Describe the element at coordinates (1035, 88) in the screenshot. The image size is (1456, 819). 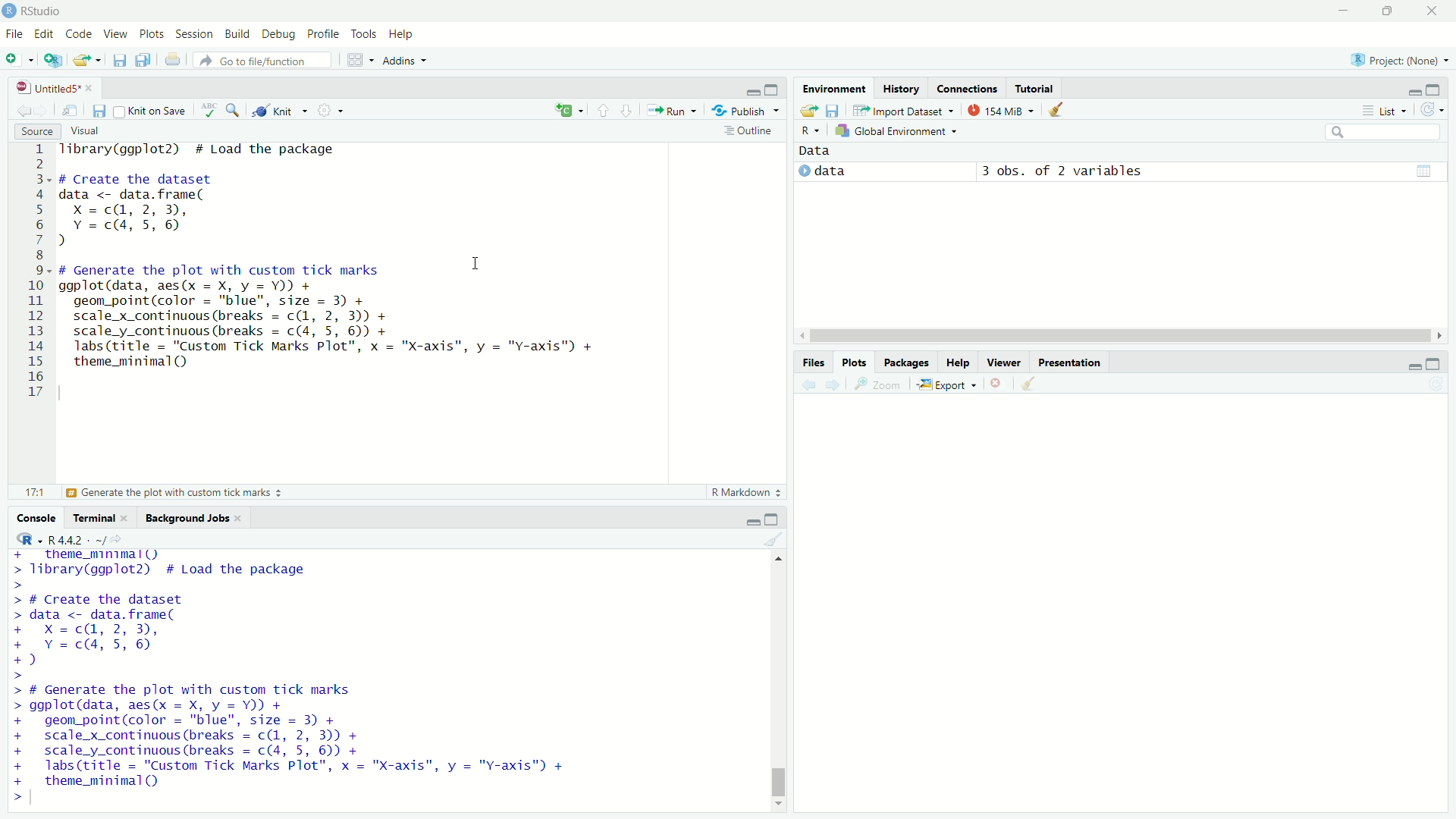
I see `tutorial` at that location.